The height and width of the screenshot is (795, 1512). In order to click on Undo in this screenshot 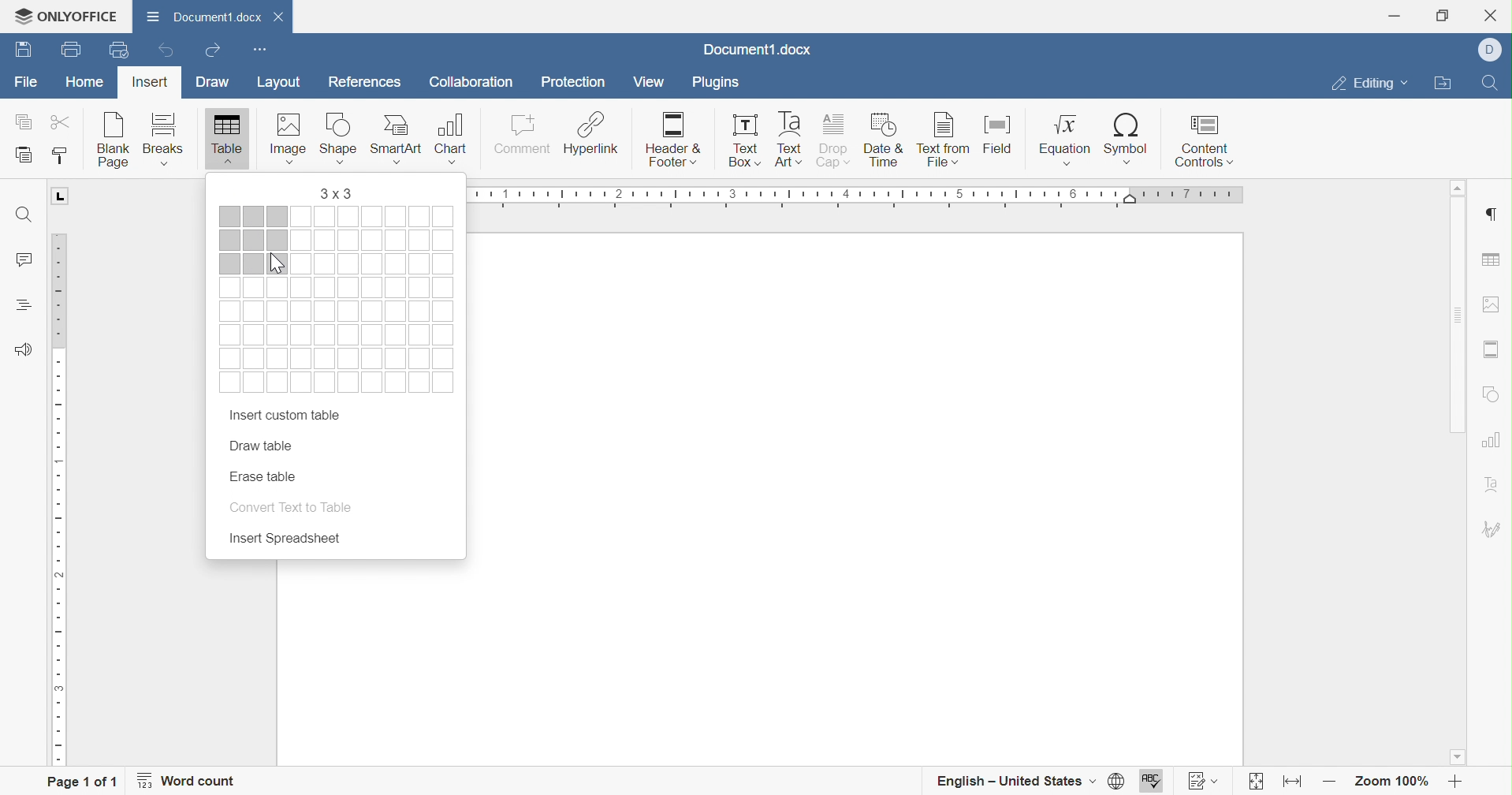, I will do `click(169, 52)`.